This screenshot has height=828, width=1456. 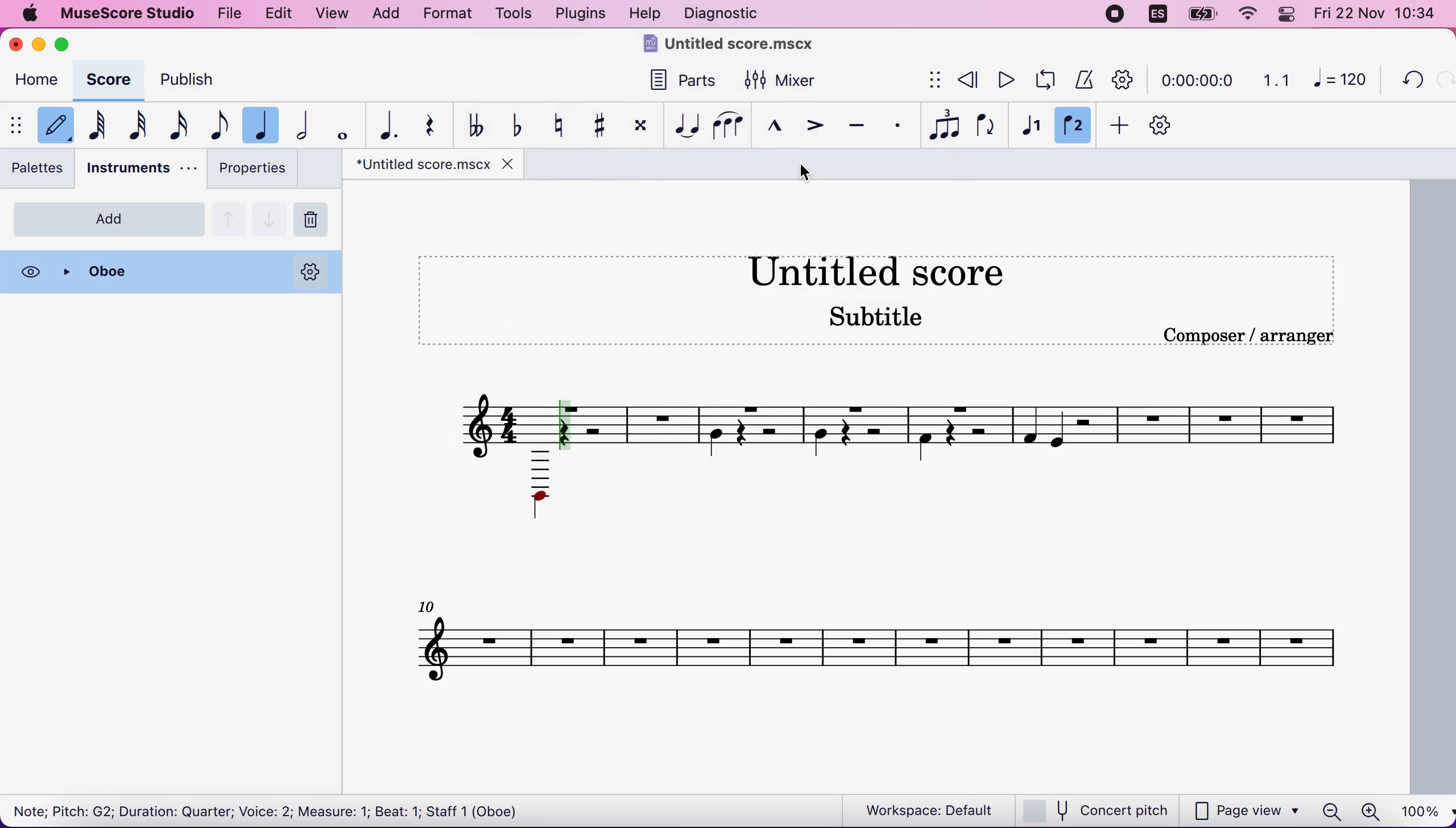 I want to click on eight note, so click(x=221, y=127).